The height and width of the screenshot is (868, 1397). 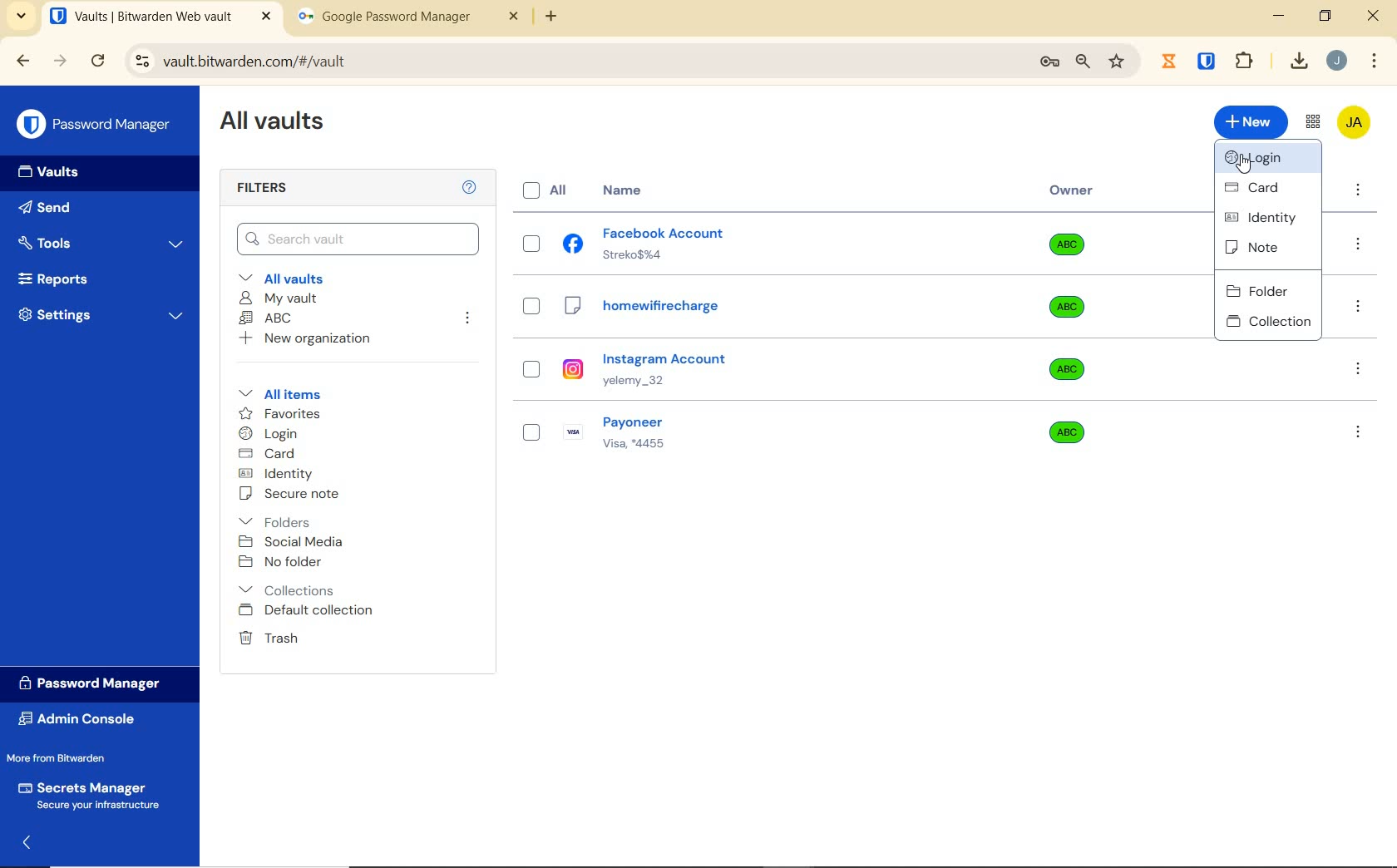 What do you see at coordinates (72, 275) in the screenshot?
I see `Reports` at bounding box center [72, 275].